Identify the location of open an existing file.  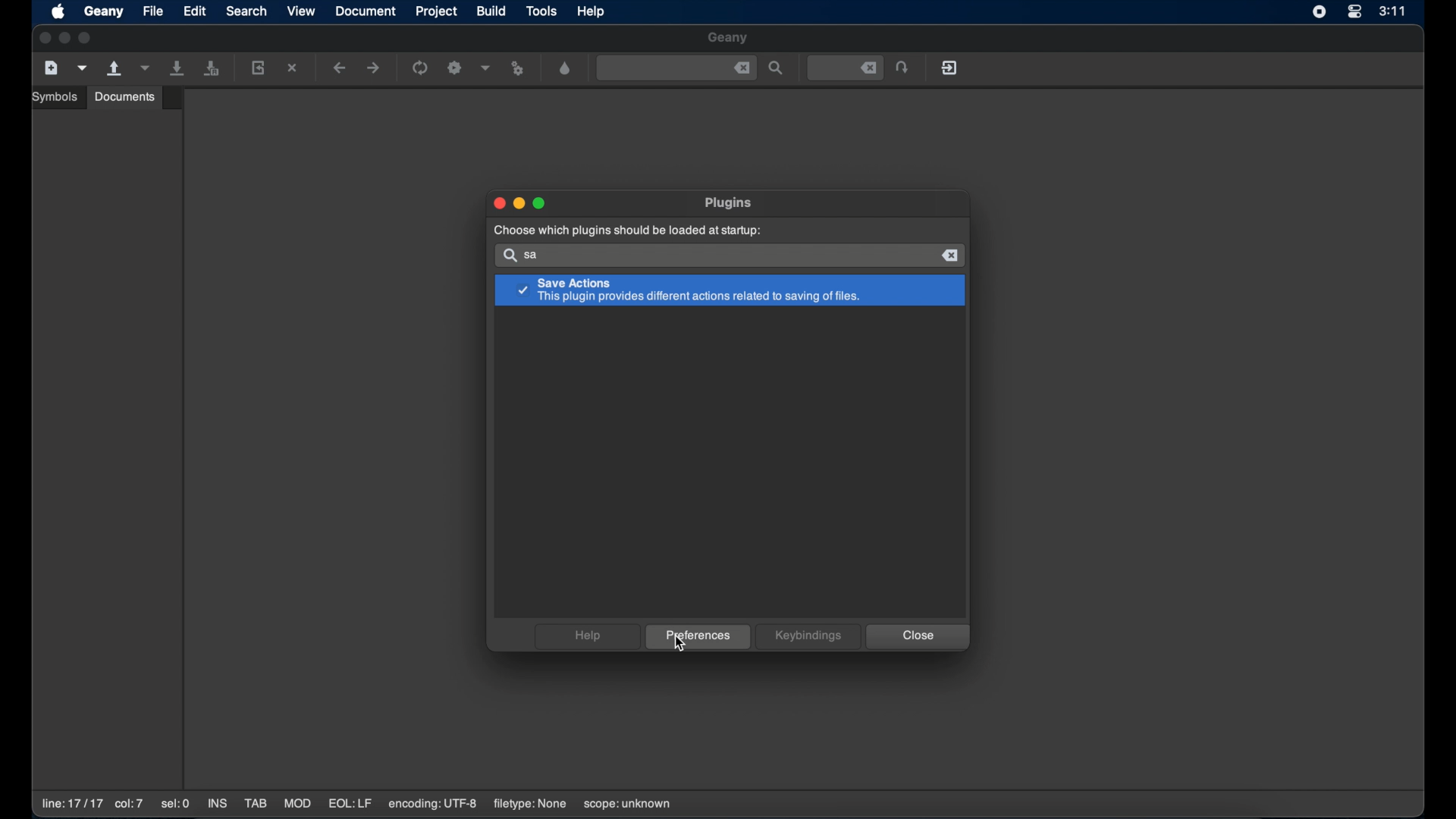
(115, 69).